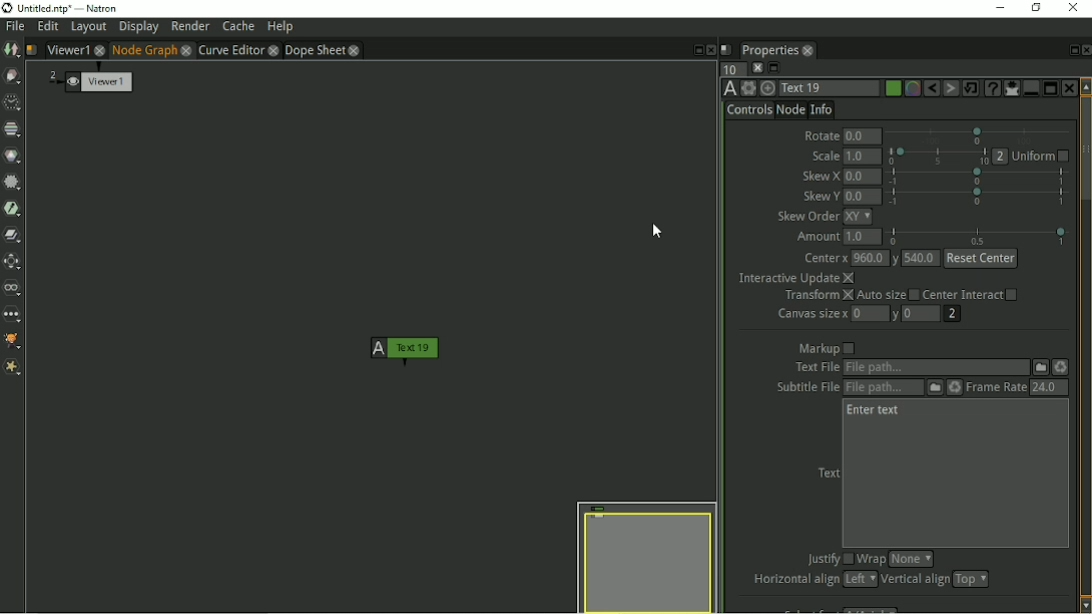  What do you see at coordinates (75, 8) in the screenshot?
I see `title` at bounding box center [75, 8].